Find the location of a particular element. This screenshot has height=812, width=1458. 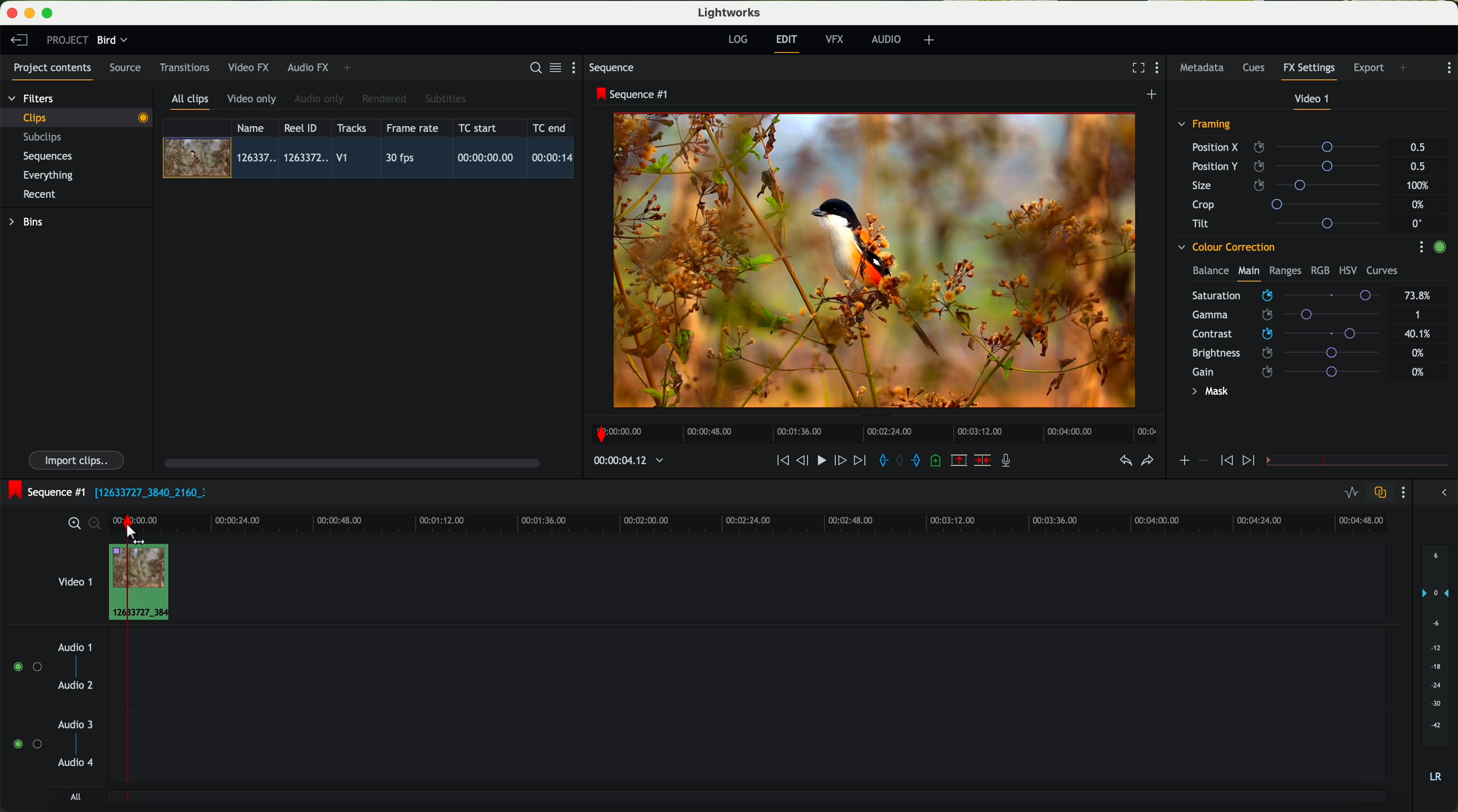

cues is located at coordinates (1257, 68).